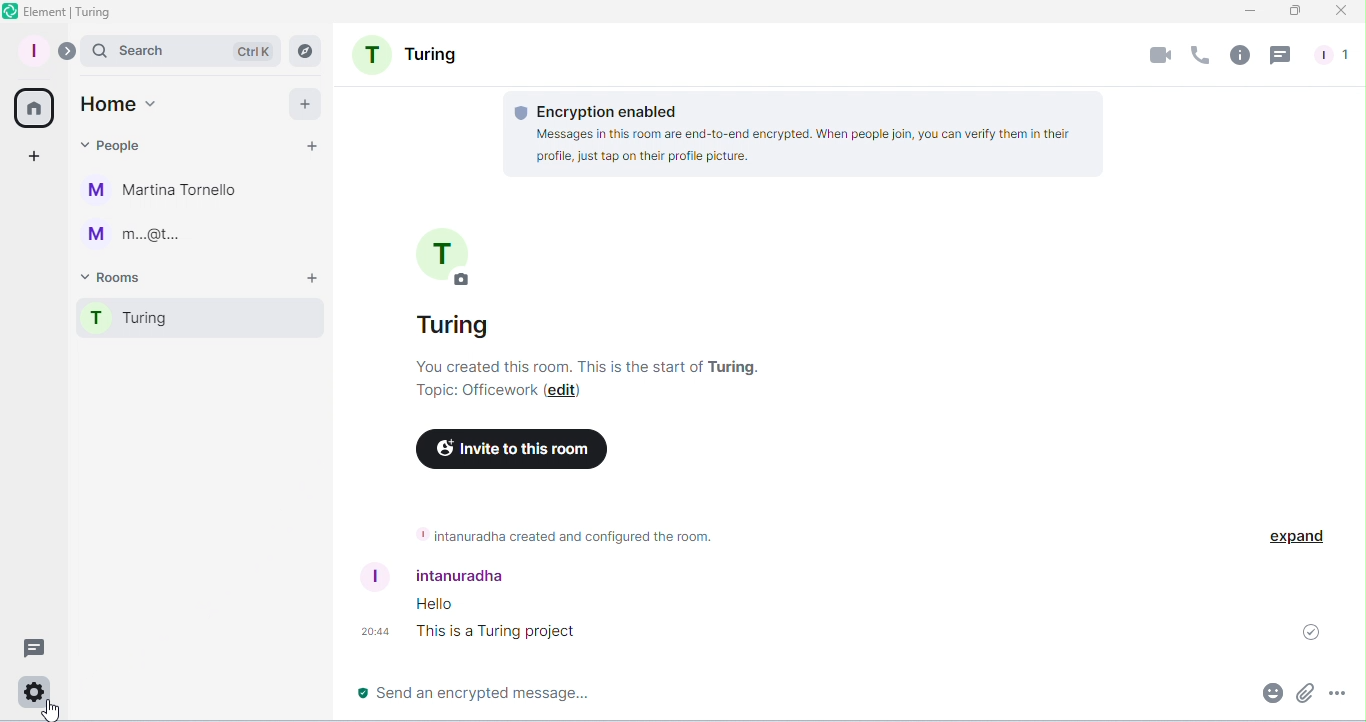 Image resolution: width=1366 pixels, height=722 pixels. Describe the element at coordinates (1200, 57) in the screenshot. I see `Call` at that location.